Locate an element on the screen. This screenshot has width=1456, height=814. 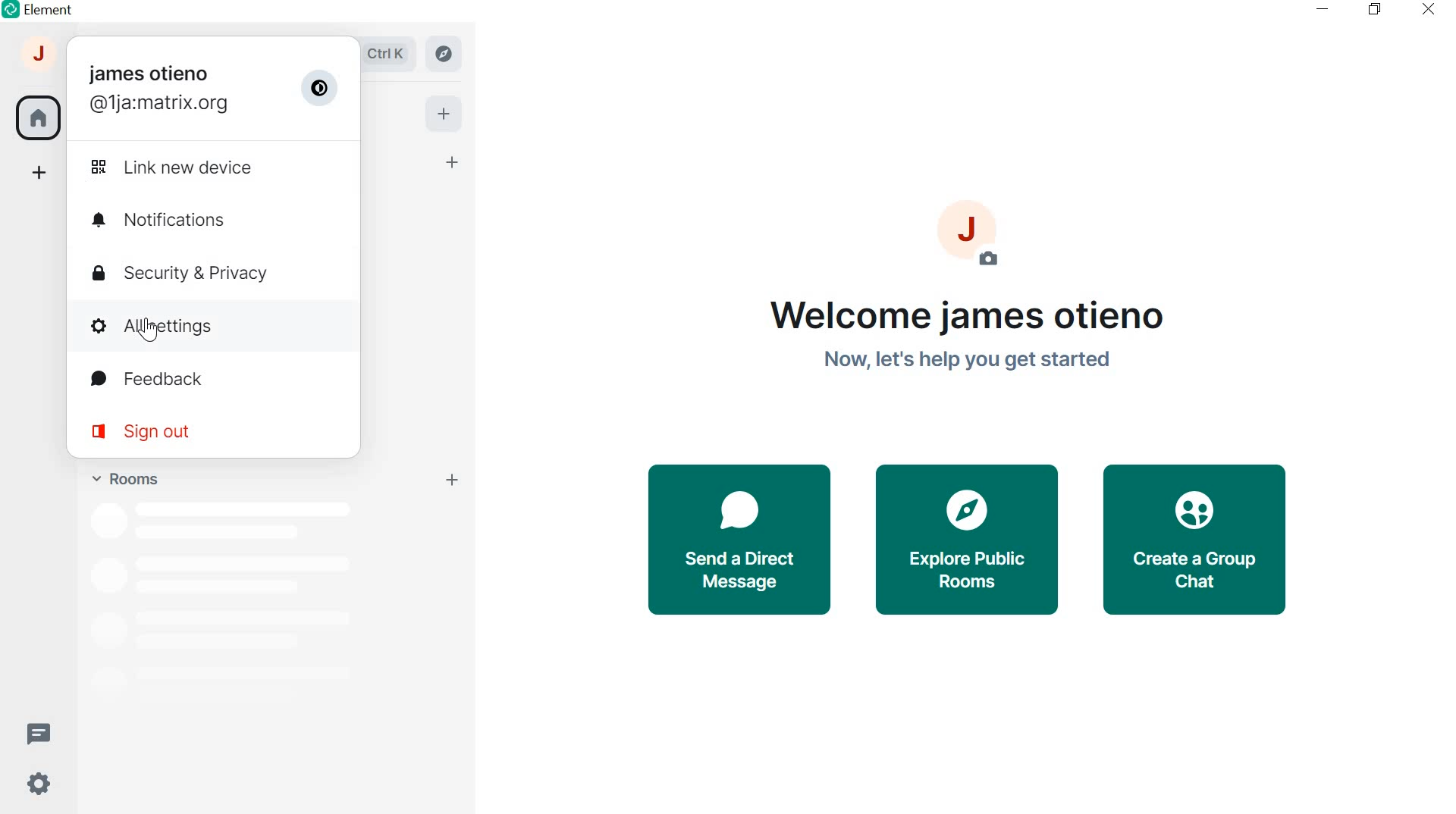
FEEDBACK is located at coordinates (215, 380).